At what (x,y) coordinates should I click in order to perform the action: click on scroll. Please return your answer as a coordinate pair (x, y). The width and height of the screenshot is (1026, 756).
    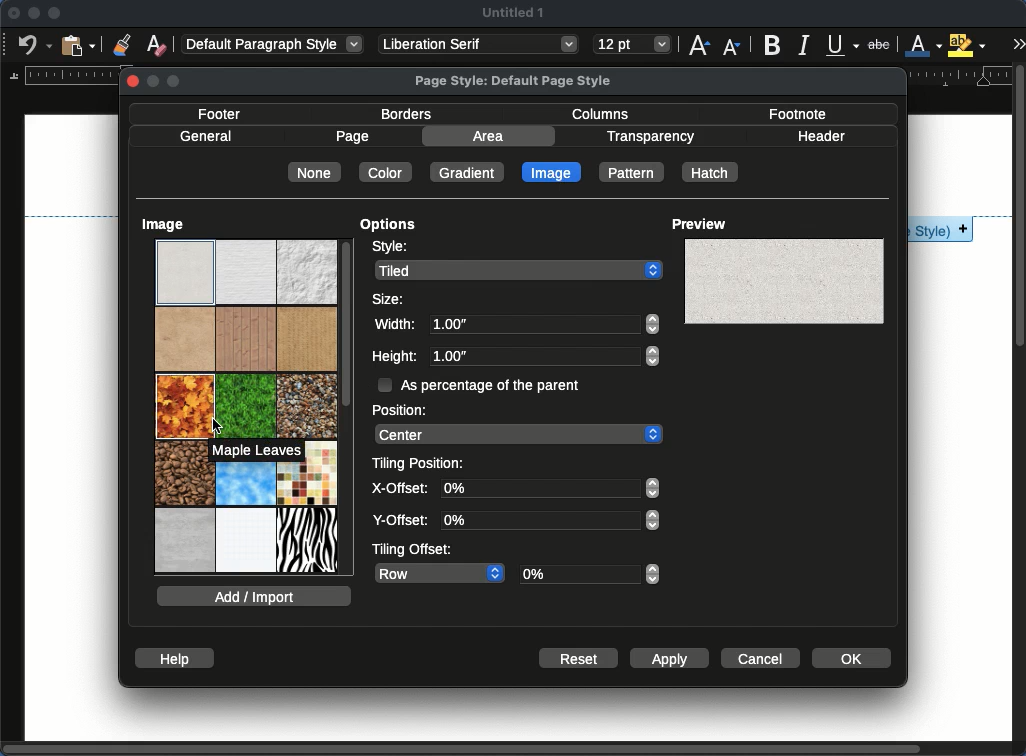
    Looking at the image, I should click on (1021, 410).